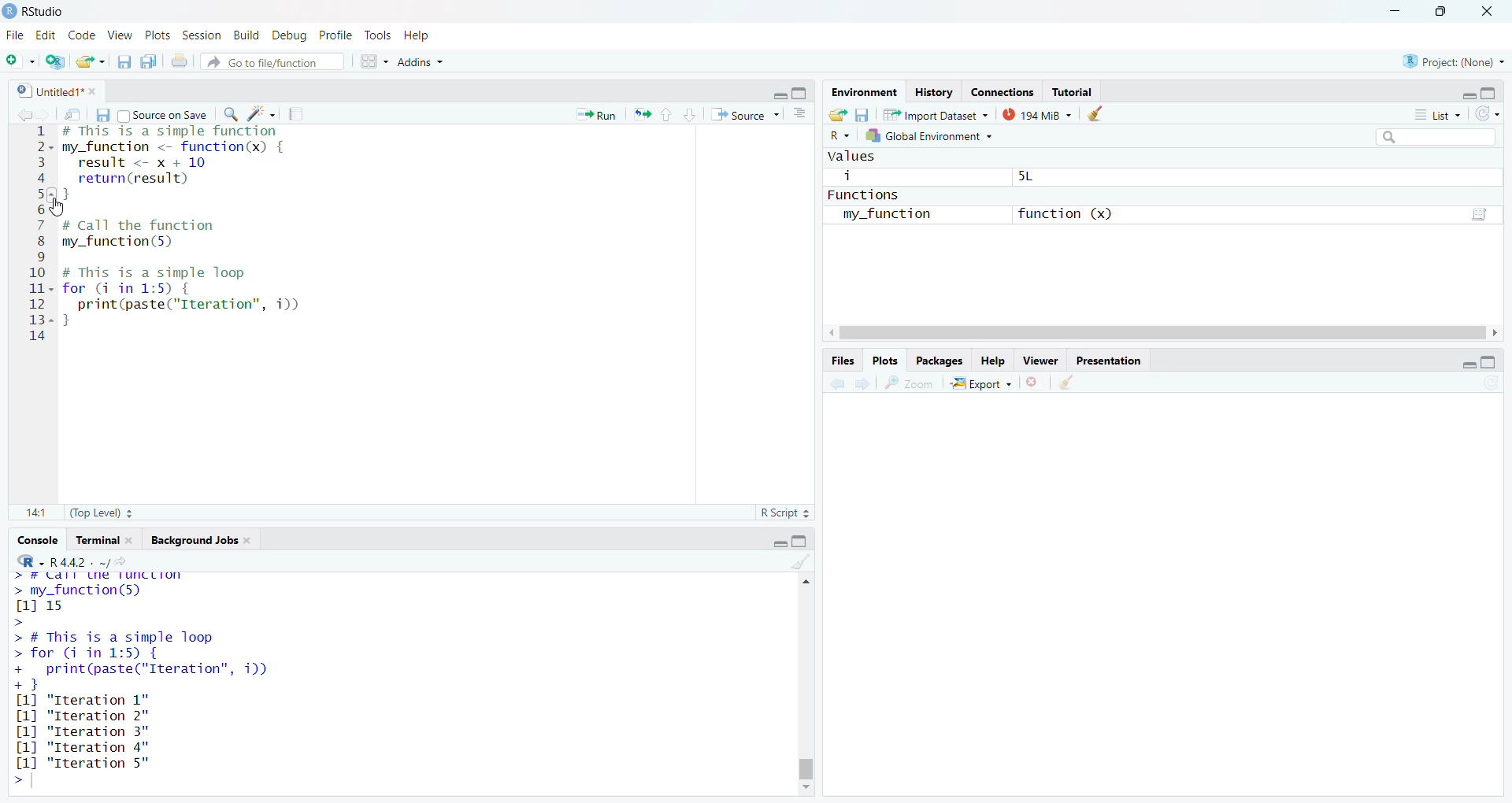 The height and width of the screenshot is (803, 1512). What do you see at coordinates (124, 61) in the screenshot?
I see `save current document` at bounding box center [124, 61].